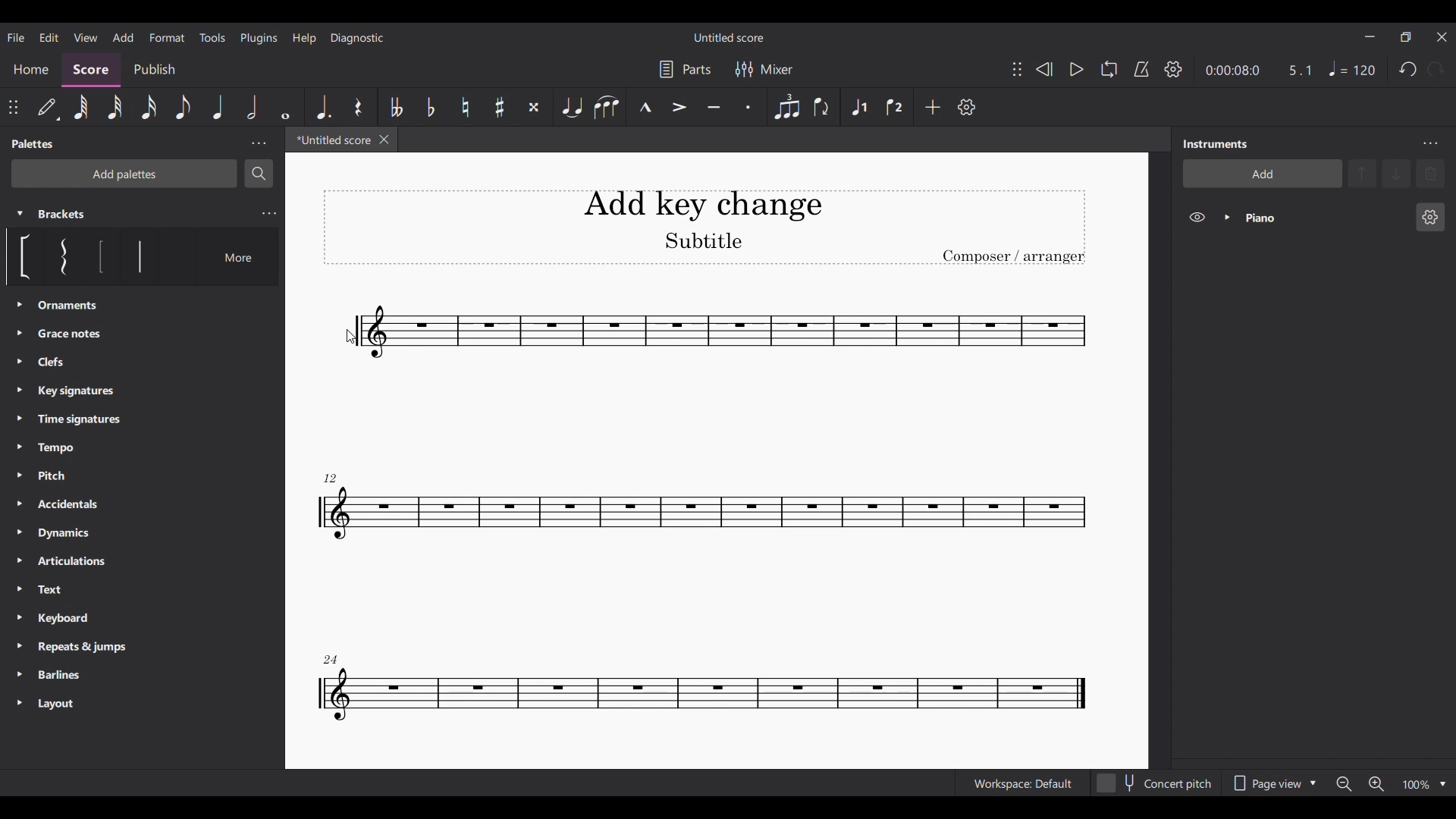 This screenshot has height=819, width=1456. What do you see at coordinates (35, 143) in the screenshot?
I see `Palettes title` at bounding box center [35, 143].